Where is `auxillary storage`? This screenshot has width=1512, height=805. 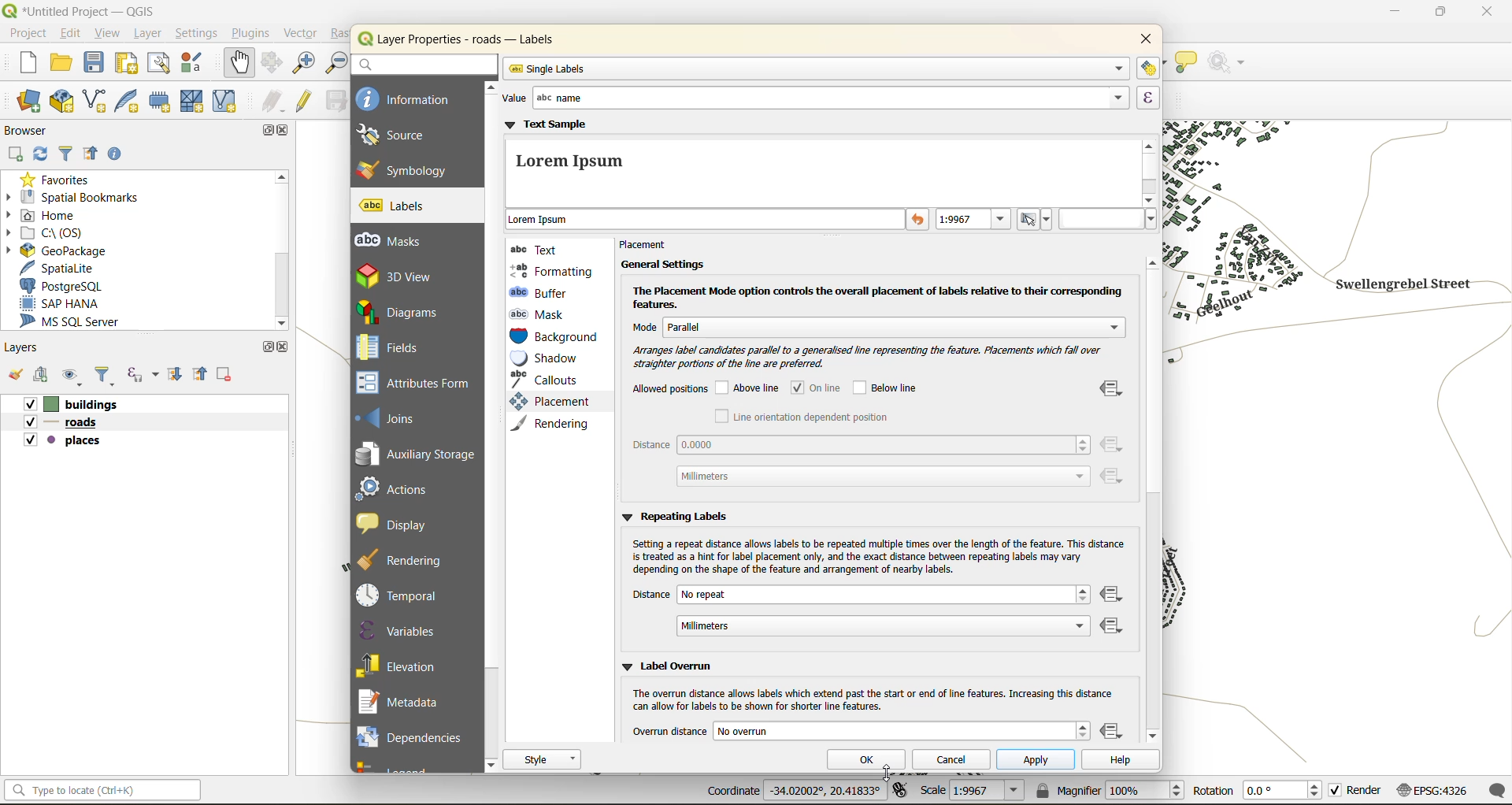
auxillary storage is located at coordinates (417, 457).